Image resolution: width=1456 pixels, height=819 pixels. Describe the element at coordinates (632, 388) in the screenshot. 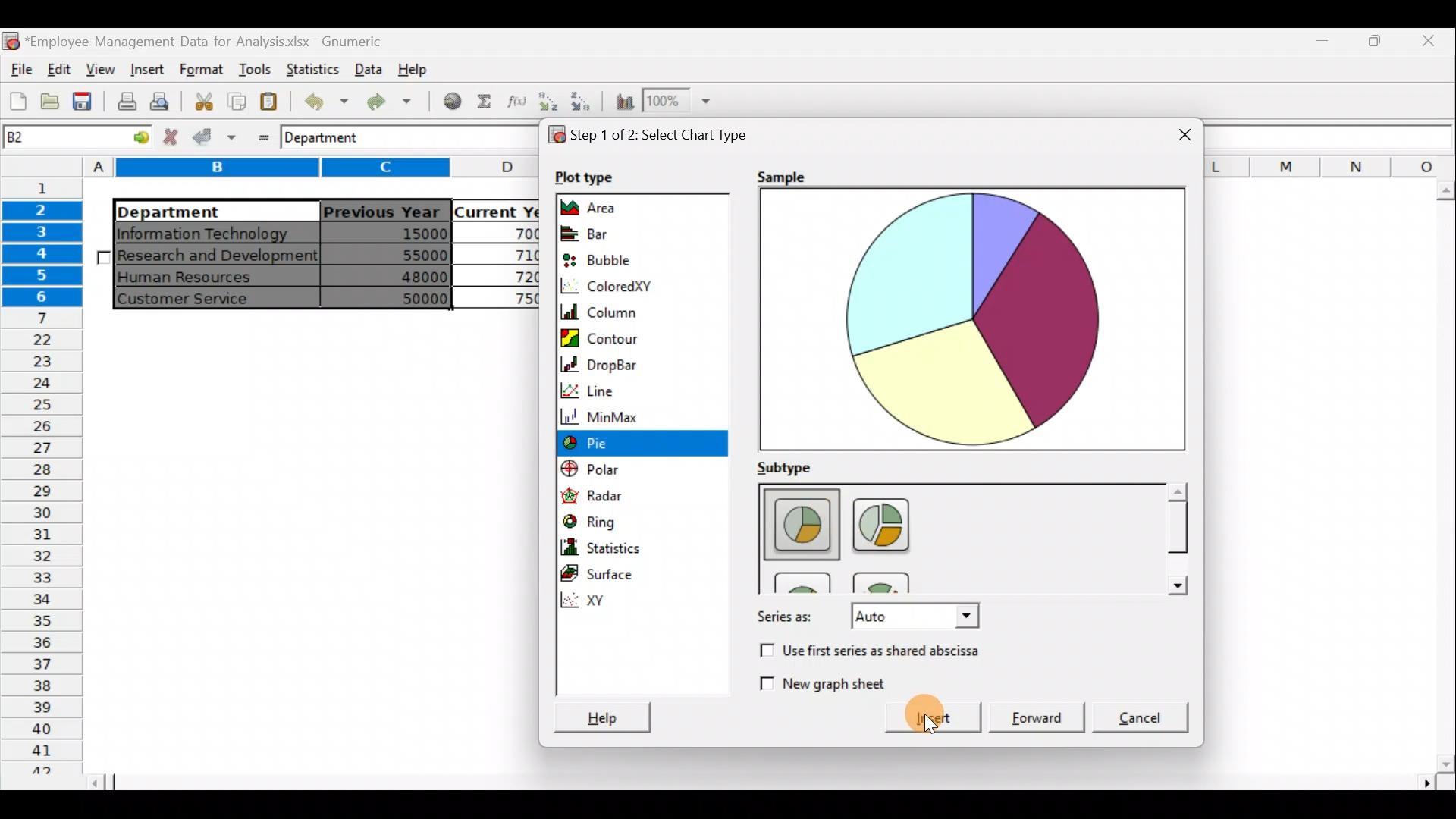

I see `Line` at that location.